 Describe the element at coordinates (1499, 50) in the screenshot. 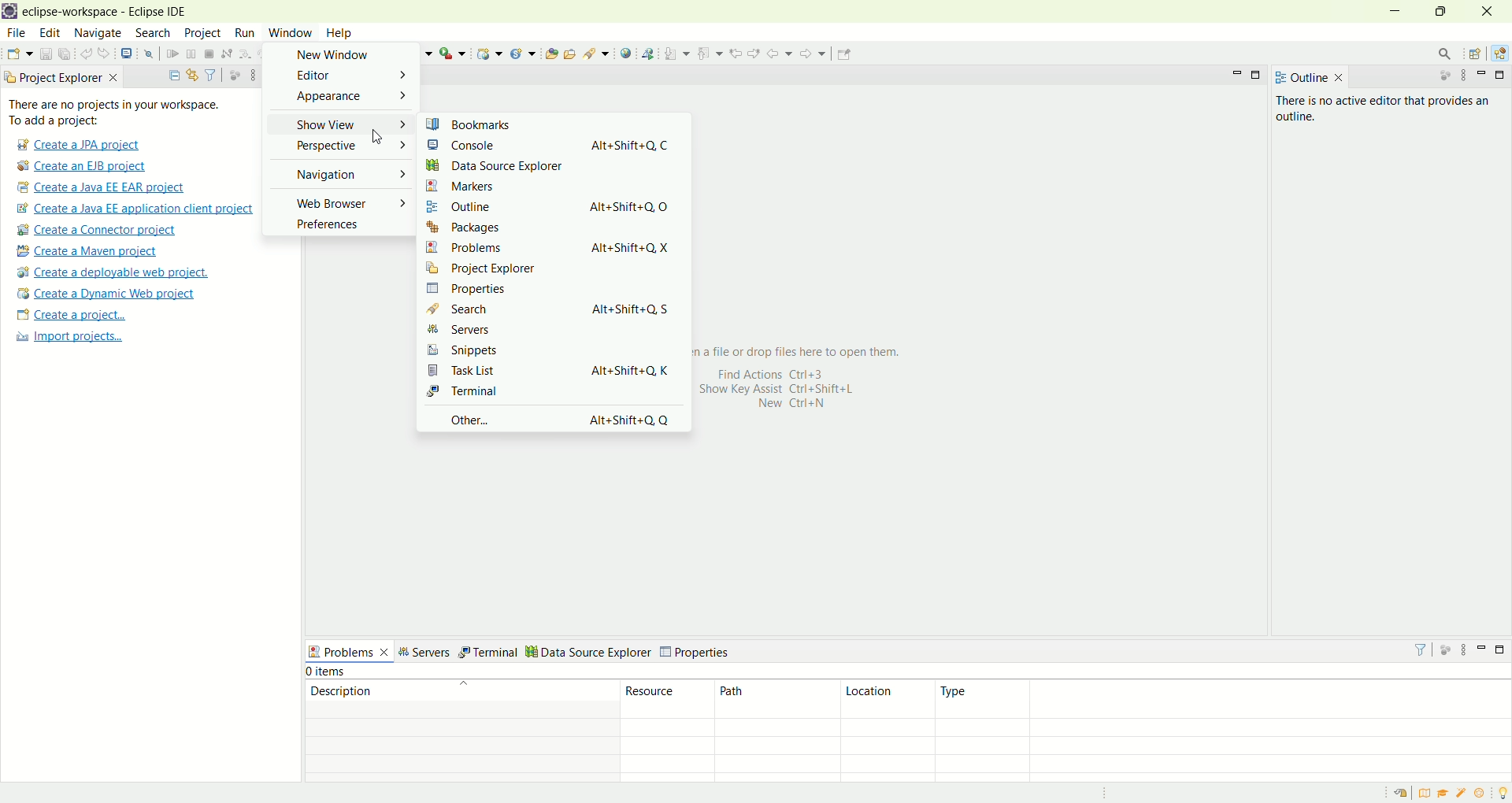

I see `java EE` at that location.